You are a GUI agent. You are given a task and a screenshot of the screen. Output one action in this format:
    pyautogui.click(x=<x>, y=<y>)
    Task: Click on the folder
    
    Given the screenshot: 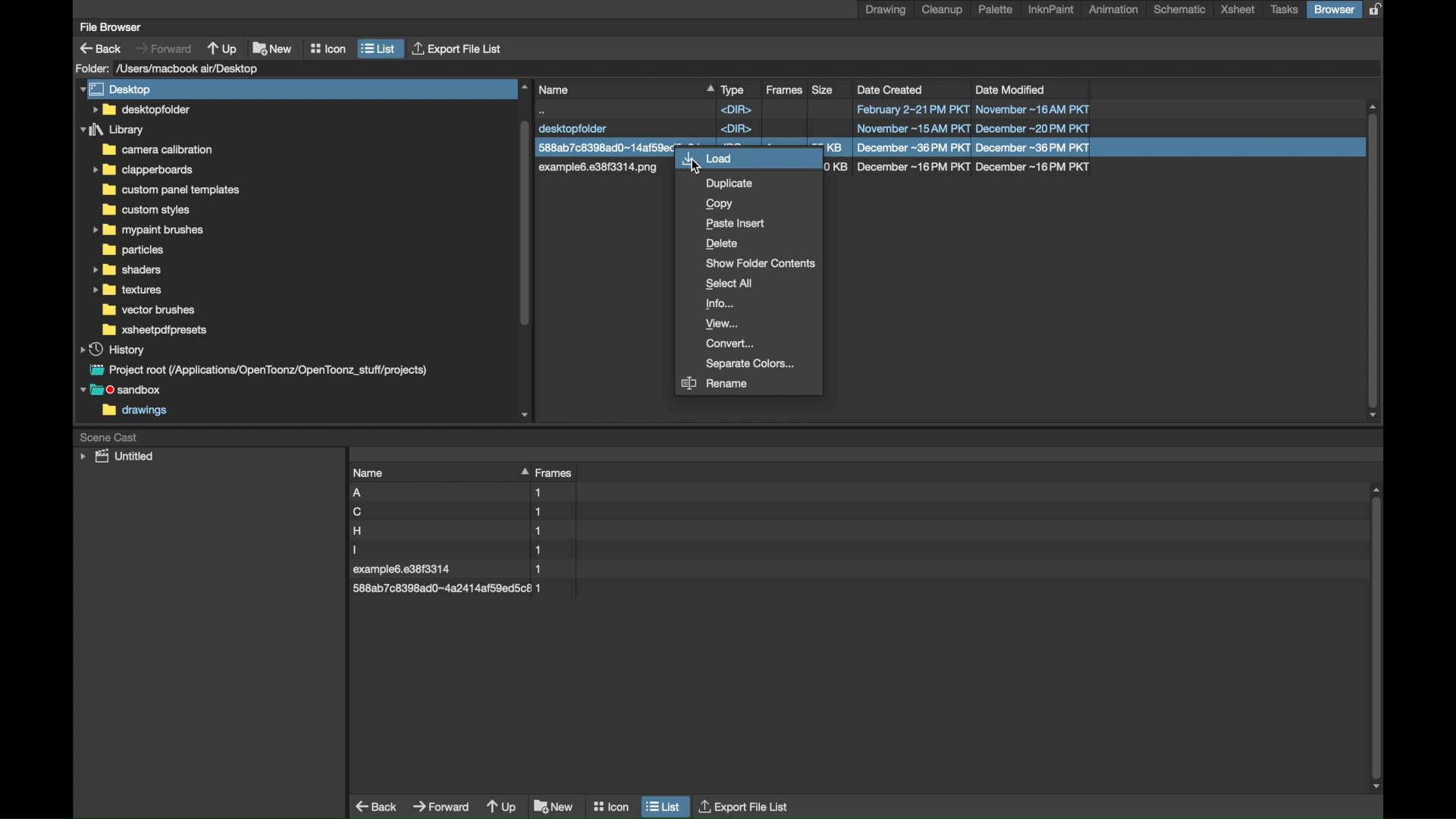 What is the action you would take?
    pyautogui.click(x=92, y=68)
    